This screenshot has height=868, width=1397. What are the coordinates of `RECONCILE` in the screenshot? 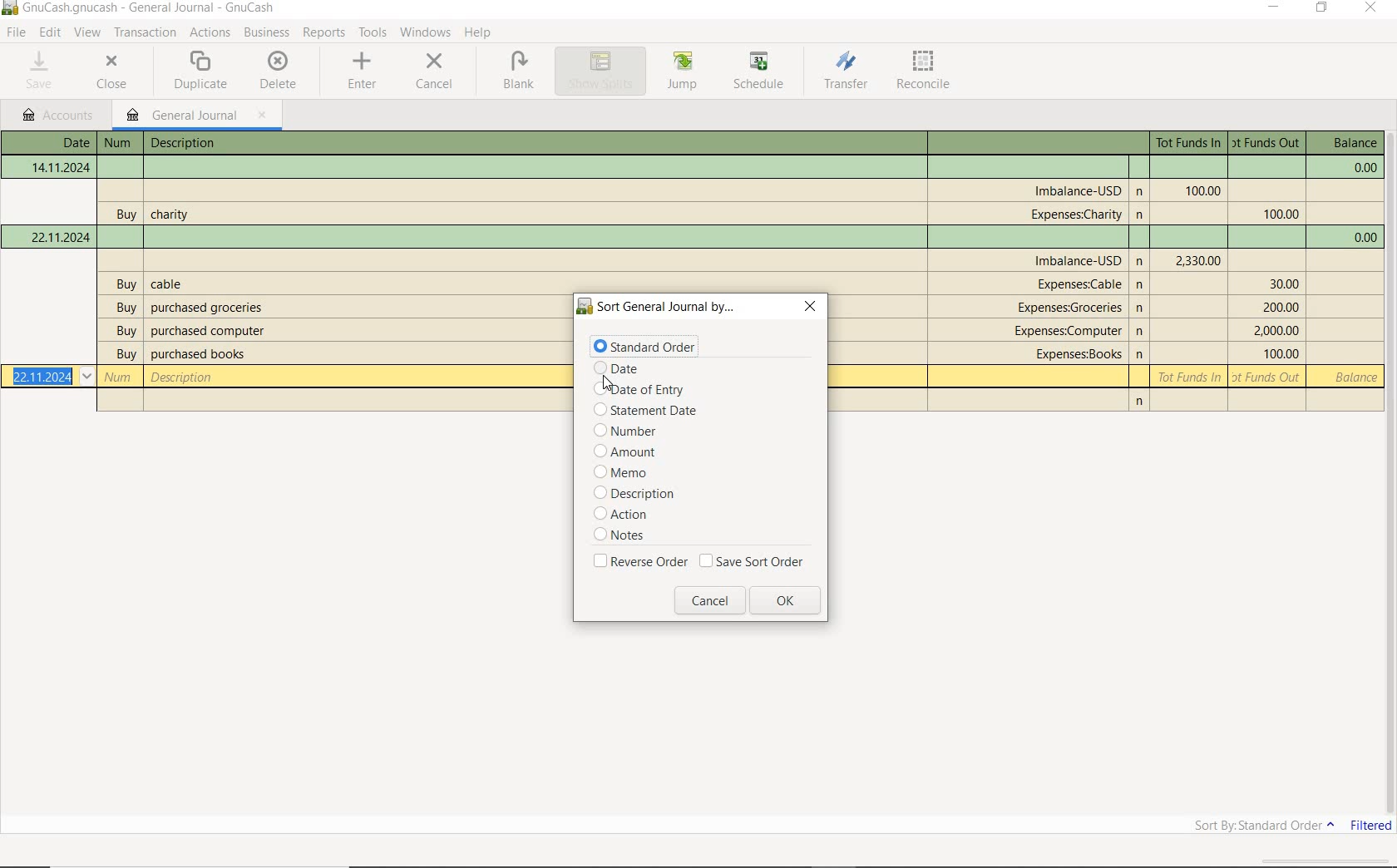 It's located at (923, 72).